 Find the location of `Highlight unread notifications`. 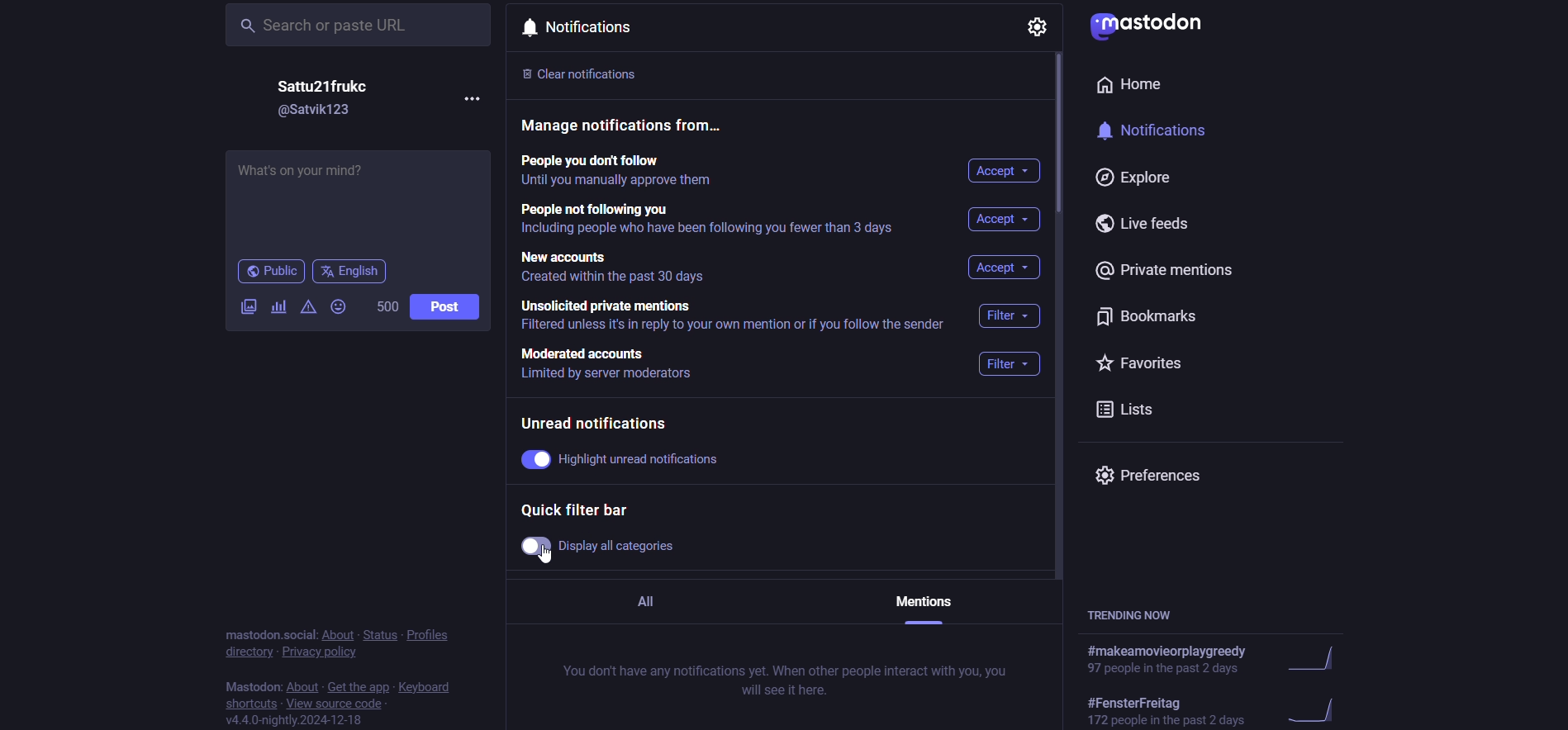

Highlight unread notifications is located at coordinates (624, 459).